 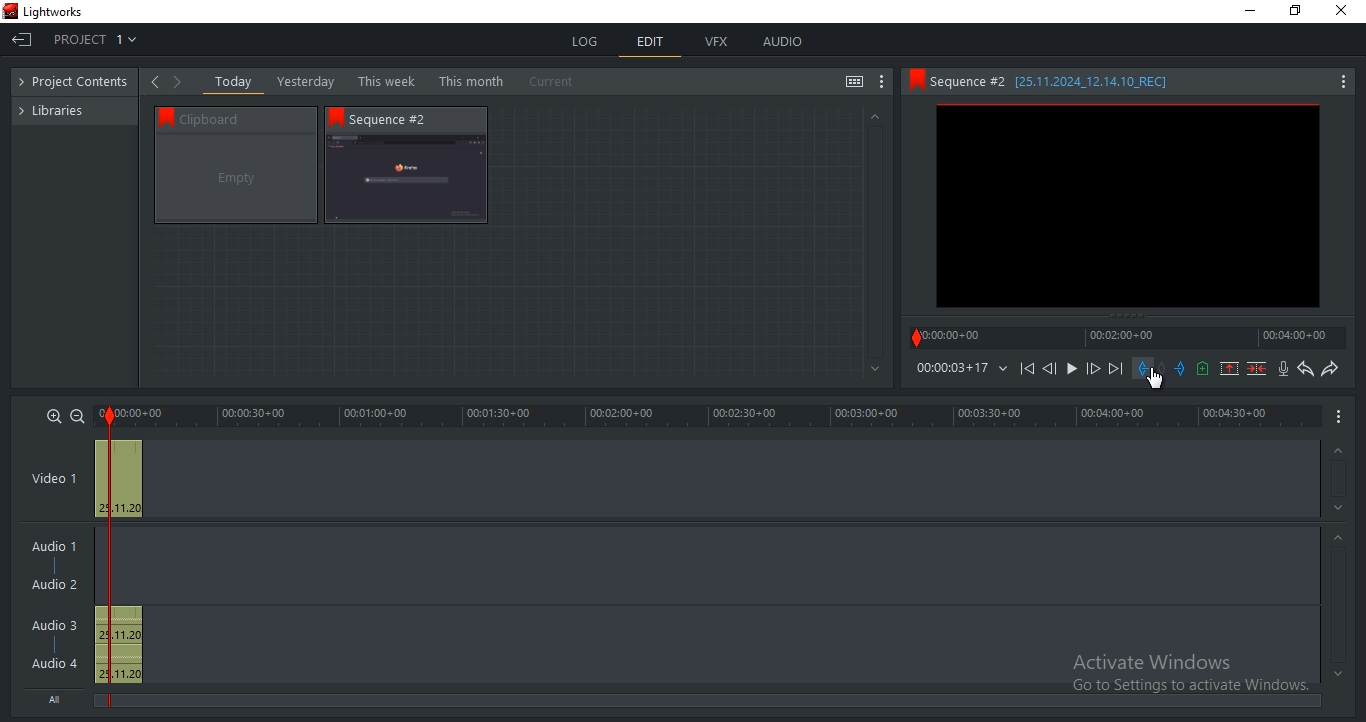 I want to click on toggle , so click(x=854, y=83).